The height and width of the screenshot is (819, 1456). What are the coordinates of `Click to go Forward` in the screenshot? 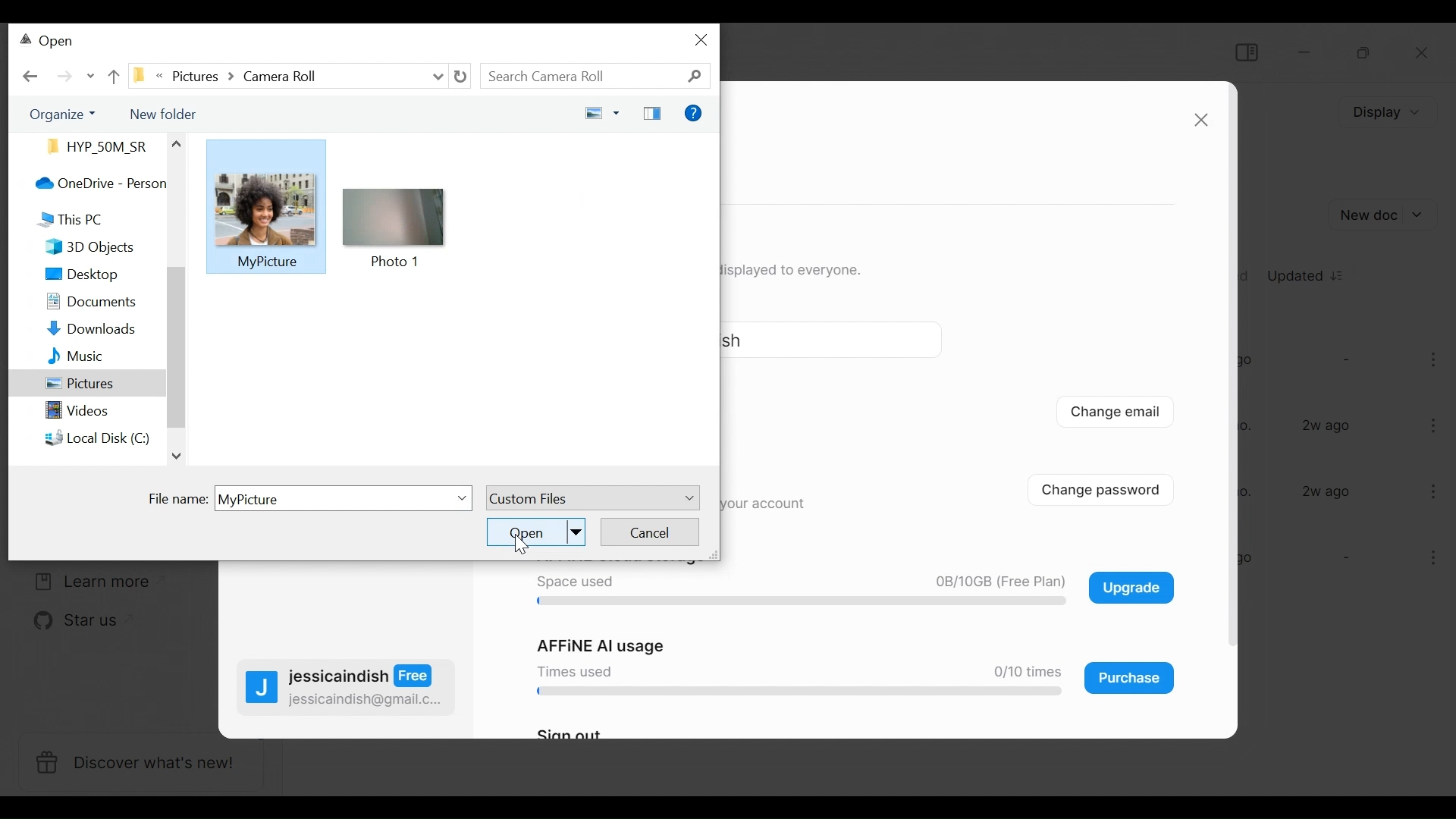 It's located at (64, 77).